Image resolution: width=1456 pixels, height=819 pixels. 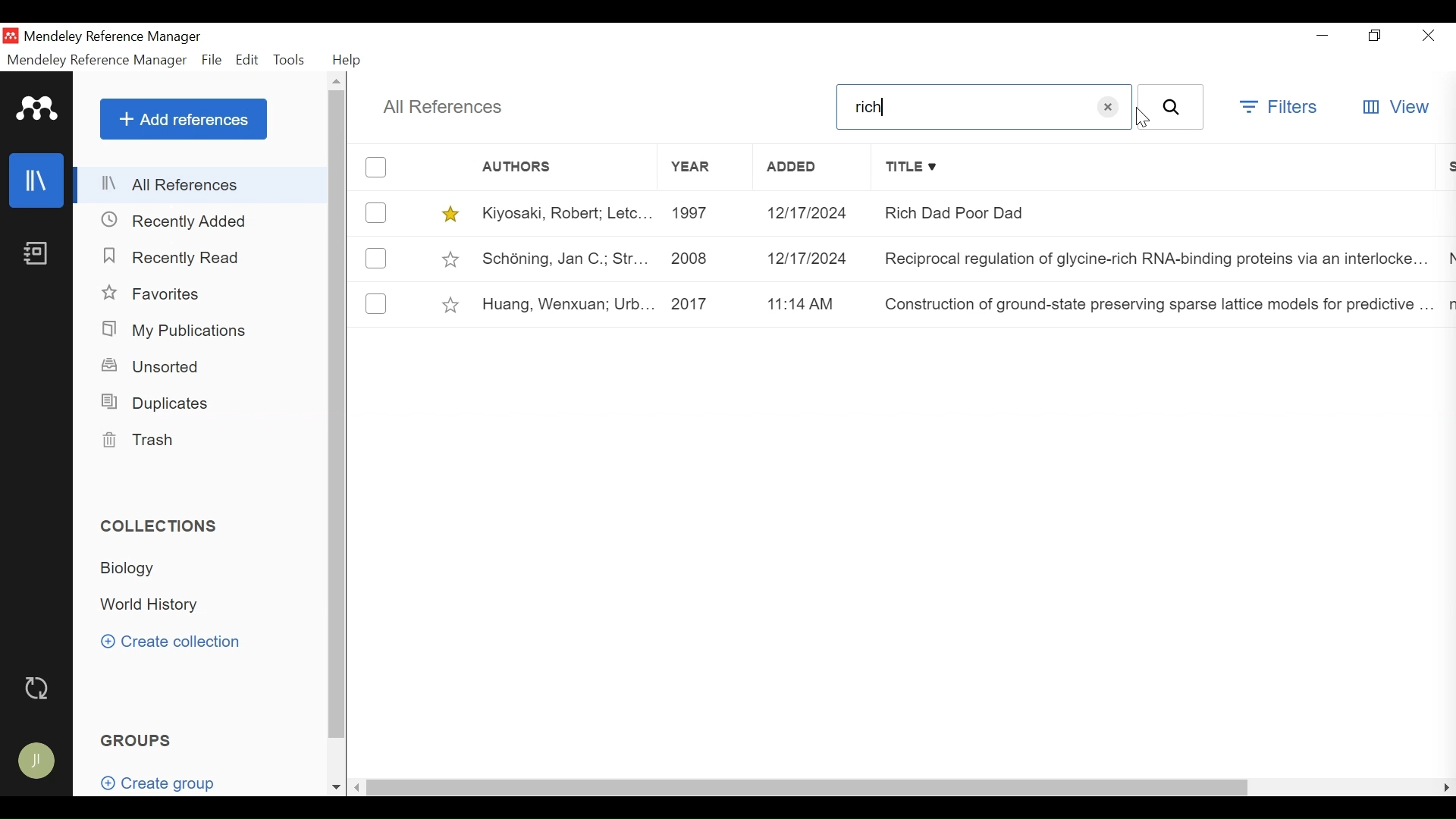 What do you see at coordinates (375, 212) in the screenshot?
I see `(un)select` at bounding box center [375, 212].